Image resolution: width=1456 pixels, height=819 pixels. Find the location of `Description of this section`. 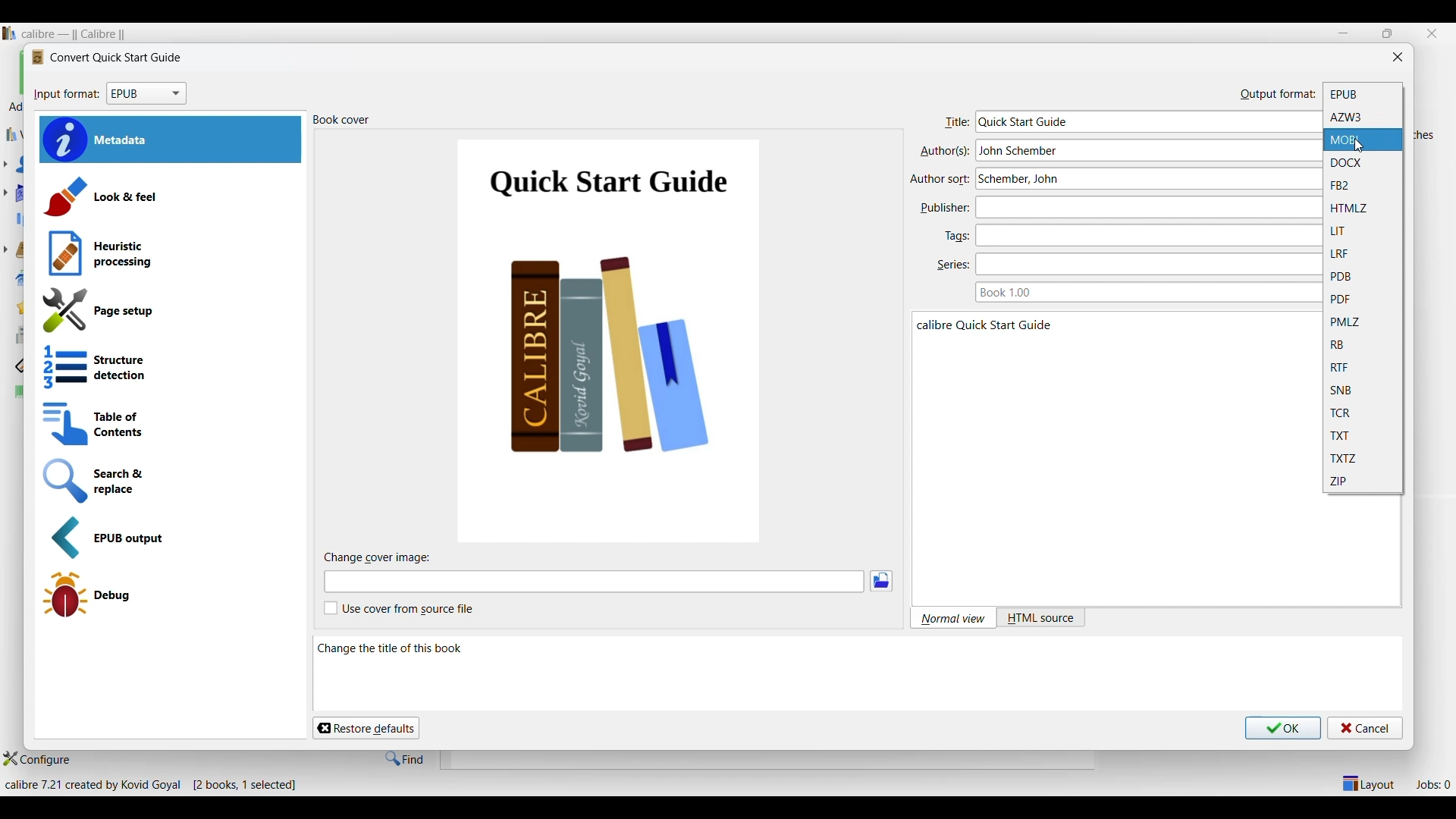

Description of this section is located at coordinates (821, 674).